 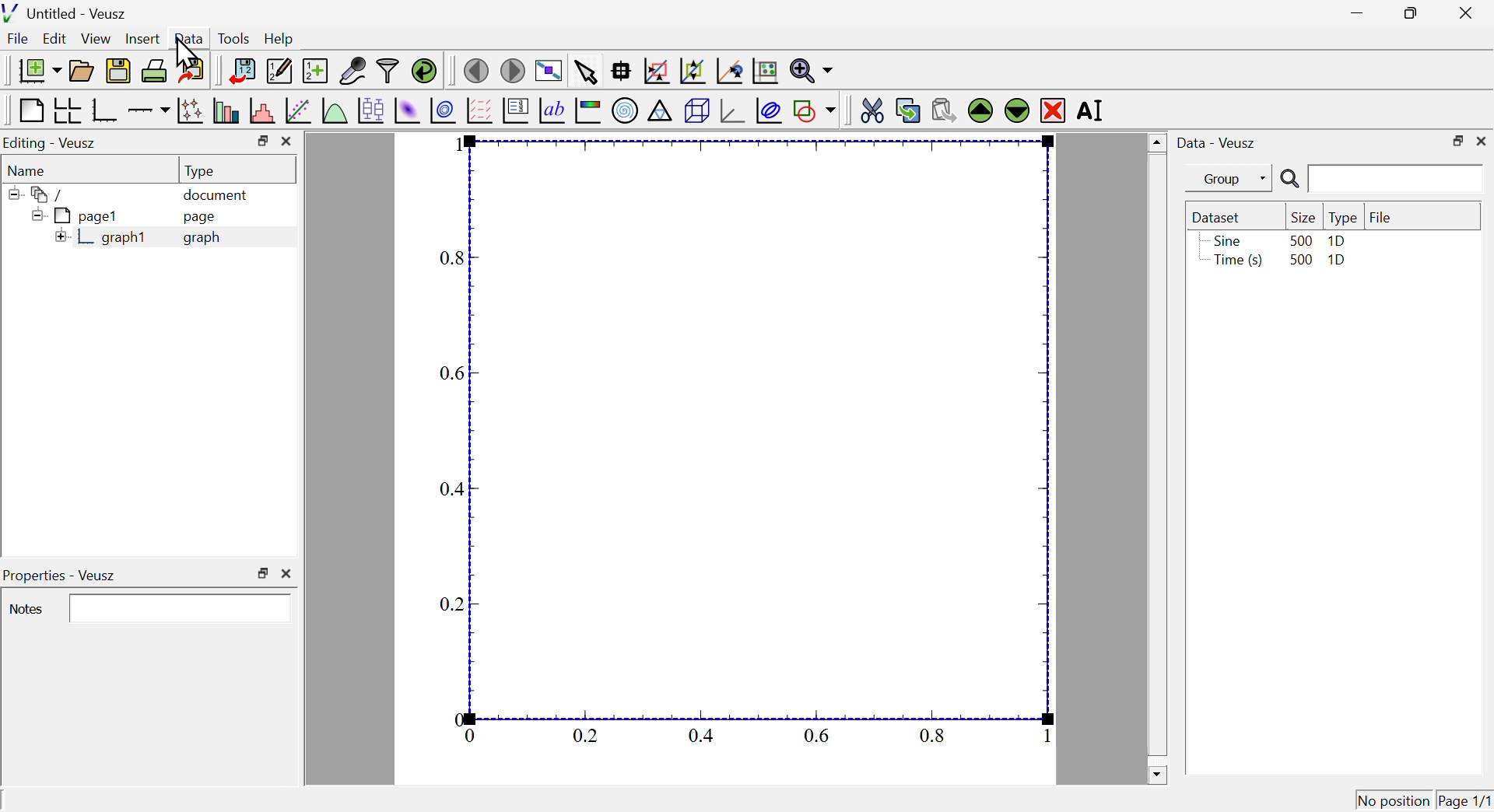 I want to click on 1, so click(x=451, y=145).